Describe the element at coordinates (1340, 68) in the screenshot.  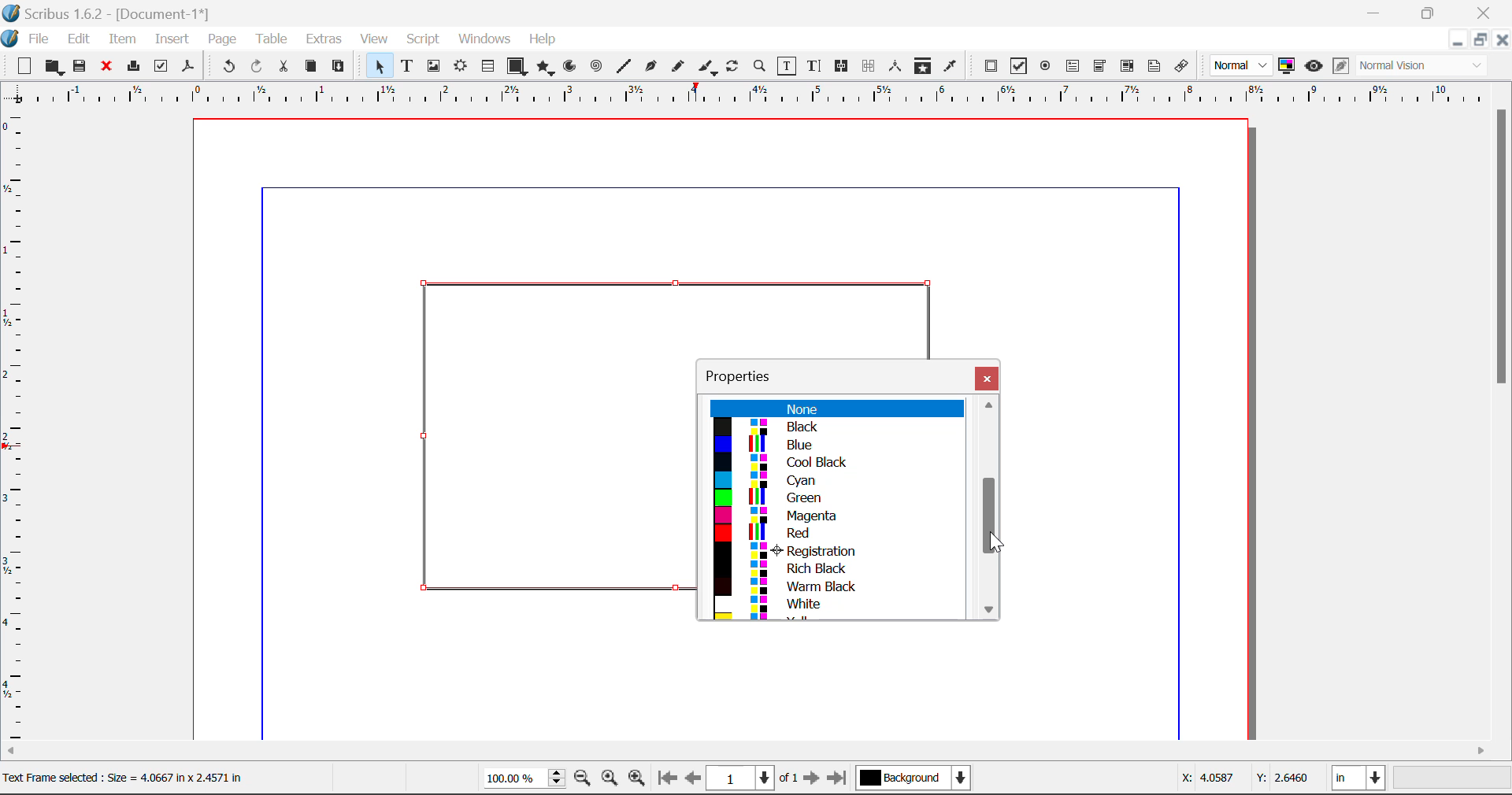
I see `Edit in Preview Mode` at that location.